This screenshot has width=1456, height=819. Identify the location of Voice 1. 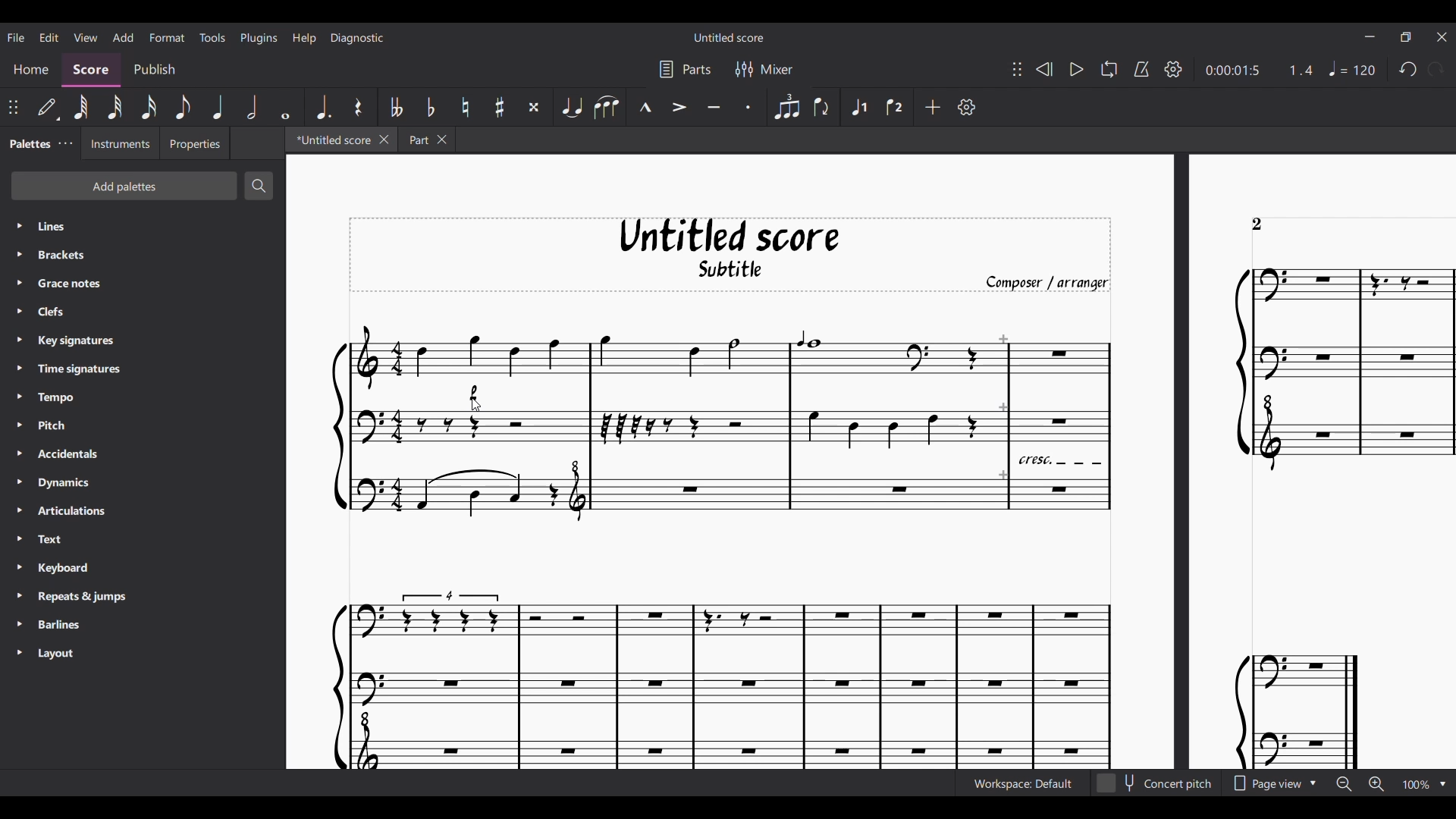
(857, 107).